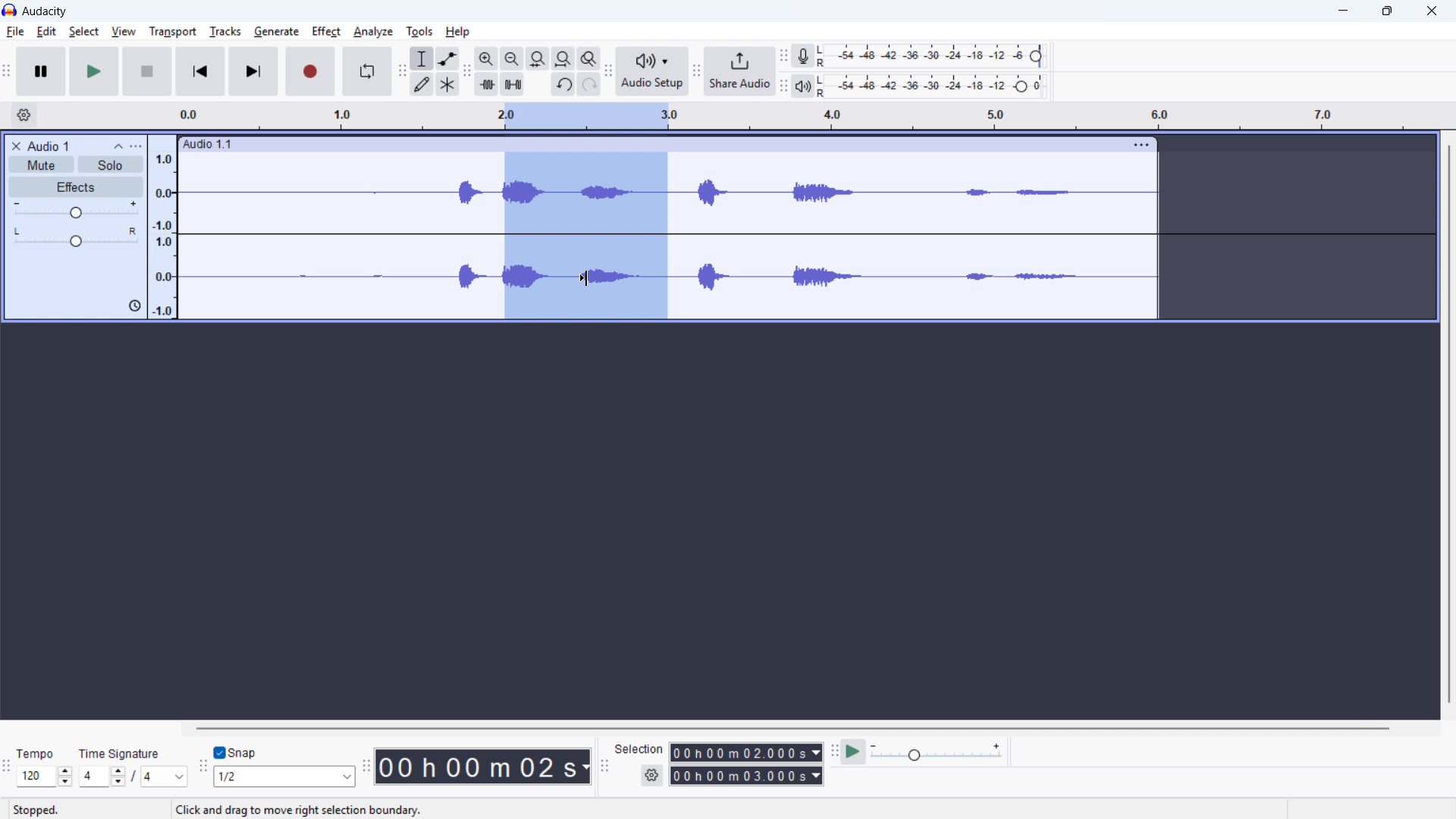  What do you see at coordinates (83, 32) in the screenshot?
I see `Select` at bounding box center [83, 32].